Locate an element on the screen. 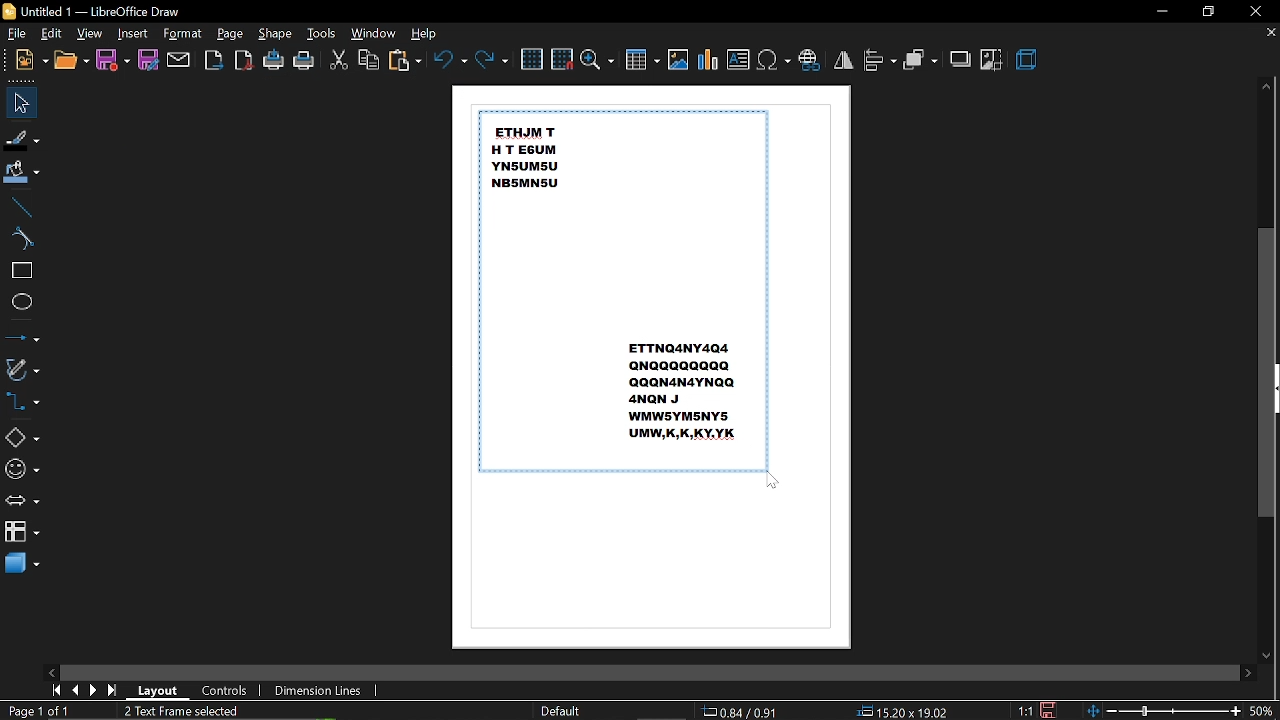 This screenshot has width=1280, height=720. insert chart is located at coordinates (708, 60).